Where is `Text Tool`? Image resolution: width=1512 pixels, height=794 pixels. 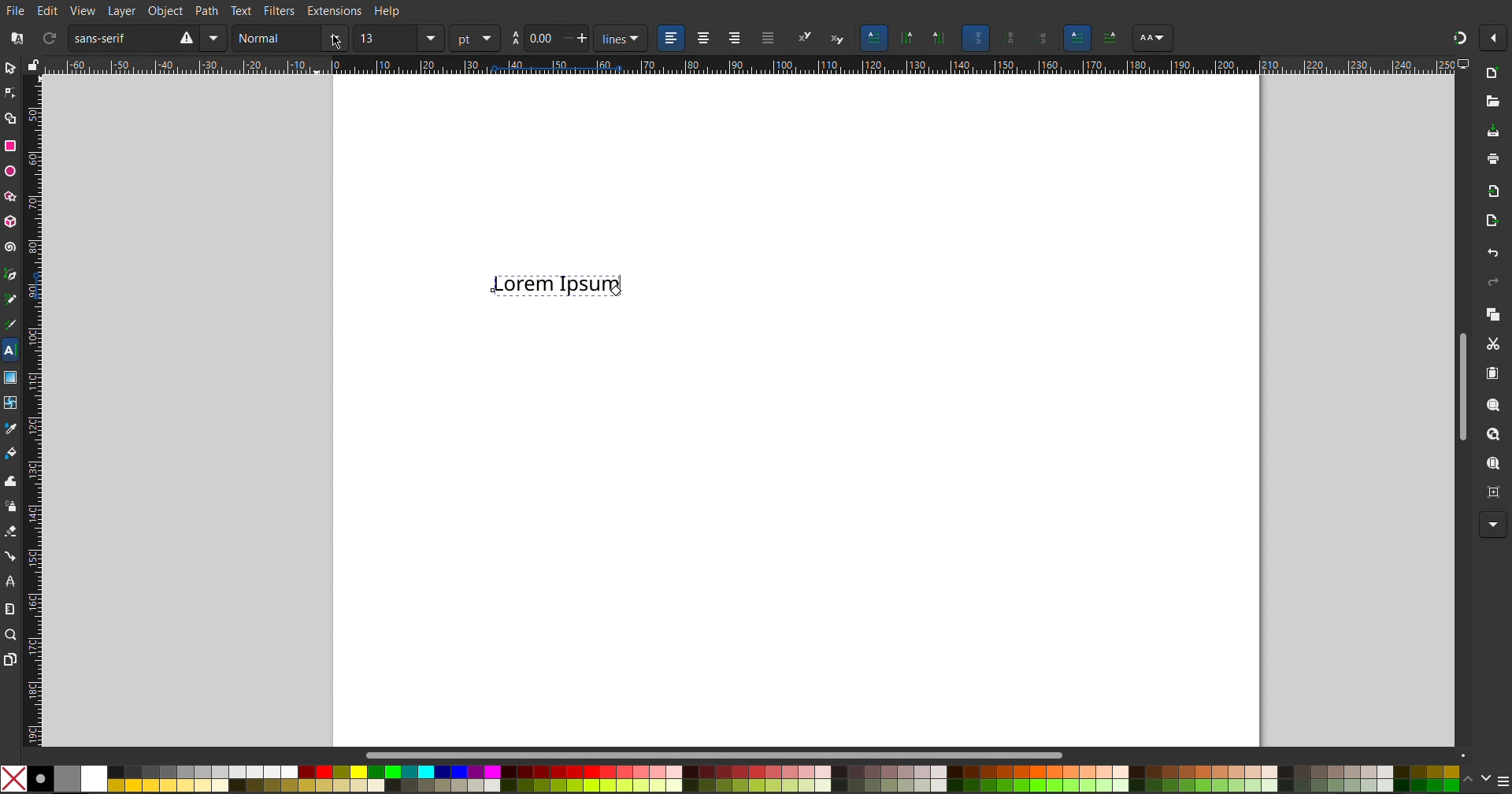 Text Tool is located at coordinates (9, 351).